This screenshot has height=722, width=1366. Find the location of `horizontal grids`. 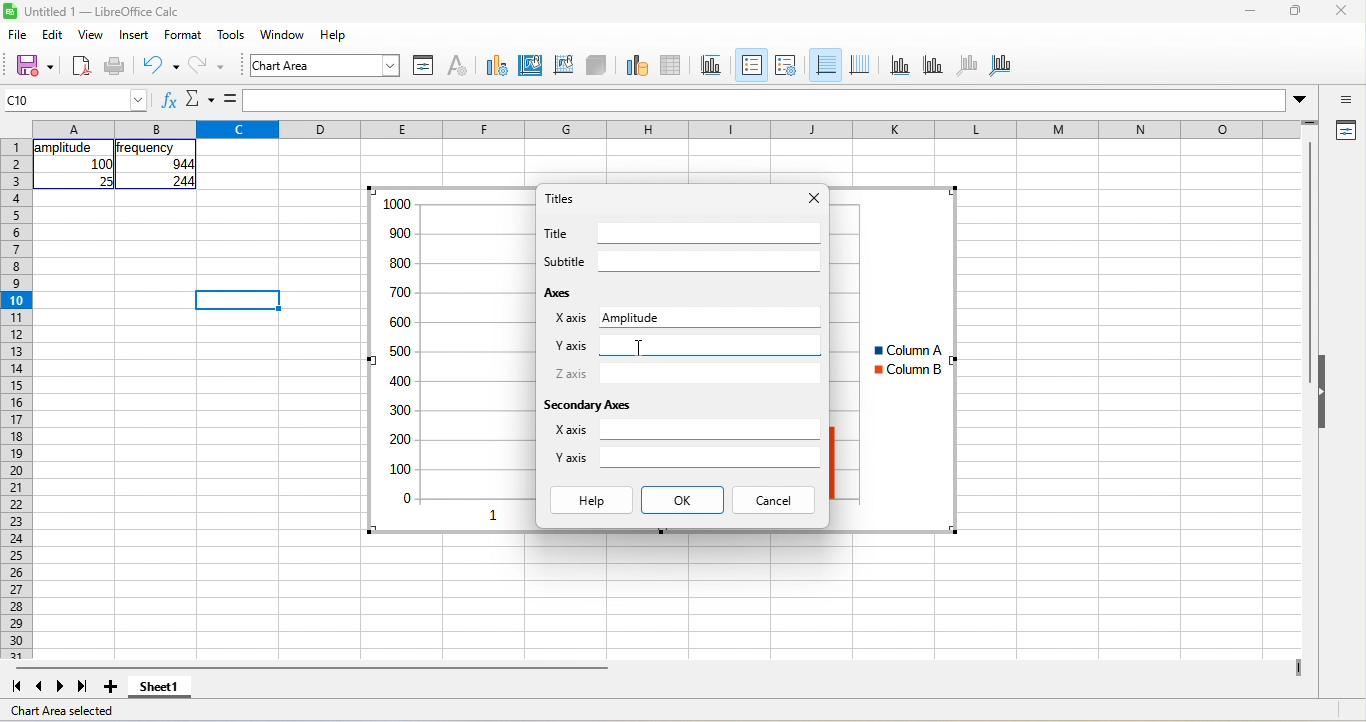

horizontal grids is located at coordinates (825, 65).